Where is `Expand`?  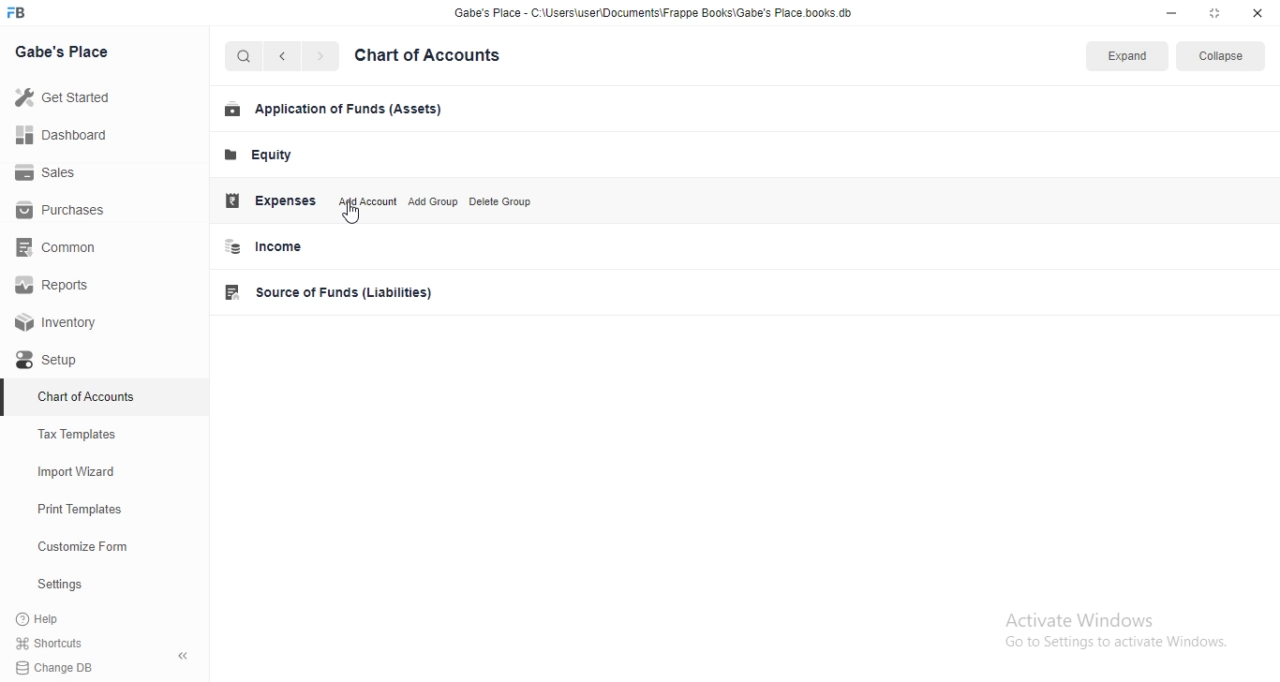 Expand is located at coordinates (1126, 58).